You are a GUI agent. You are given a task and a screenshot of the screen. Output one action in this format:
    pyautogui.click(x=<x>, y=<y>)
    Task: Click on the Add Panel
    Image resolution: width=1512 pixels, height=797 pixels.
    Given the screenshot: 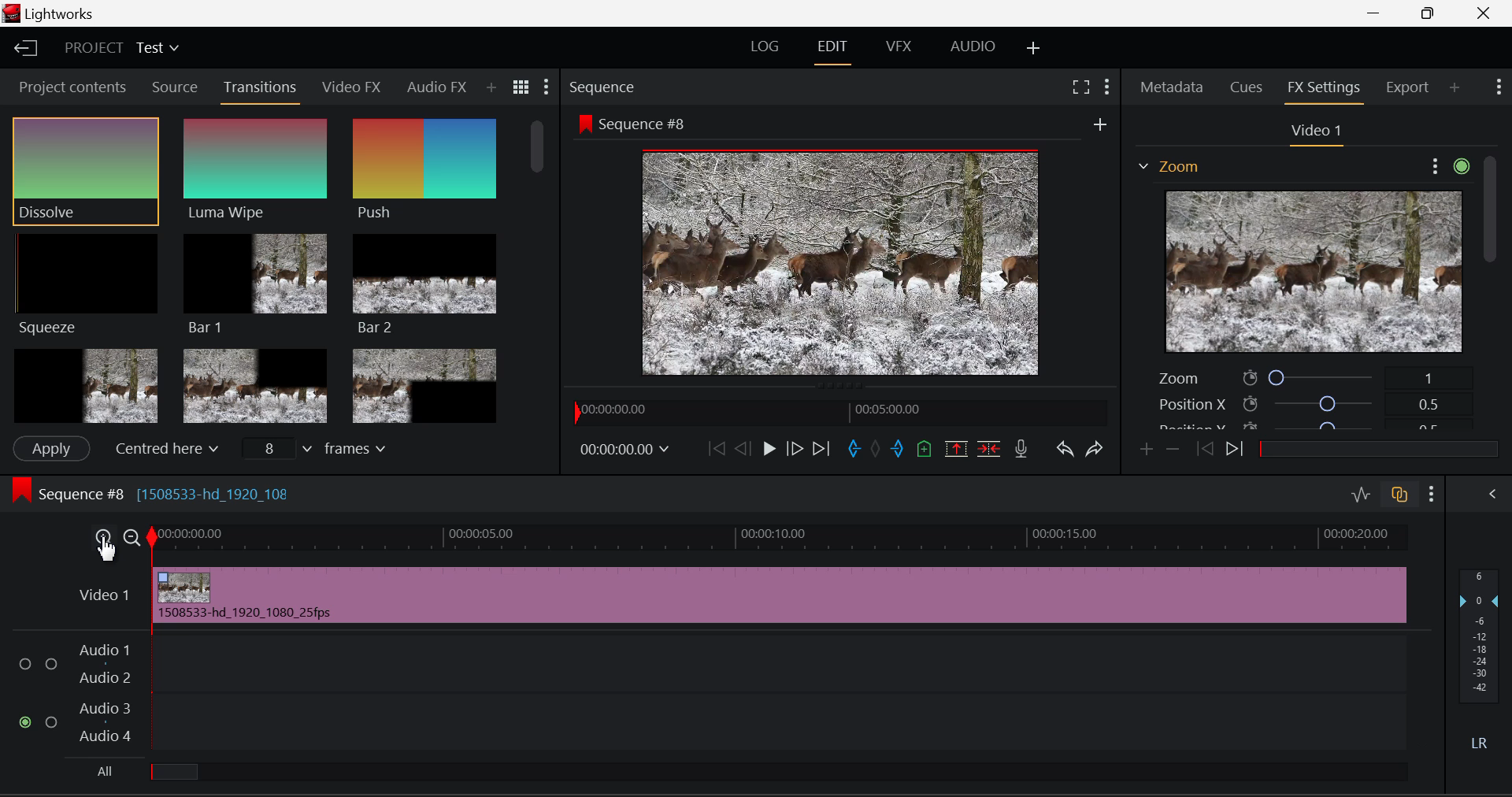 What is the action you would take?
    pyautogui.click(x=491, y=87)
    